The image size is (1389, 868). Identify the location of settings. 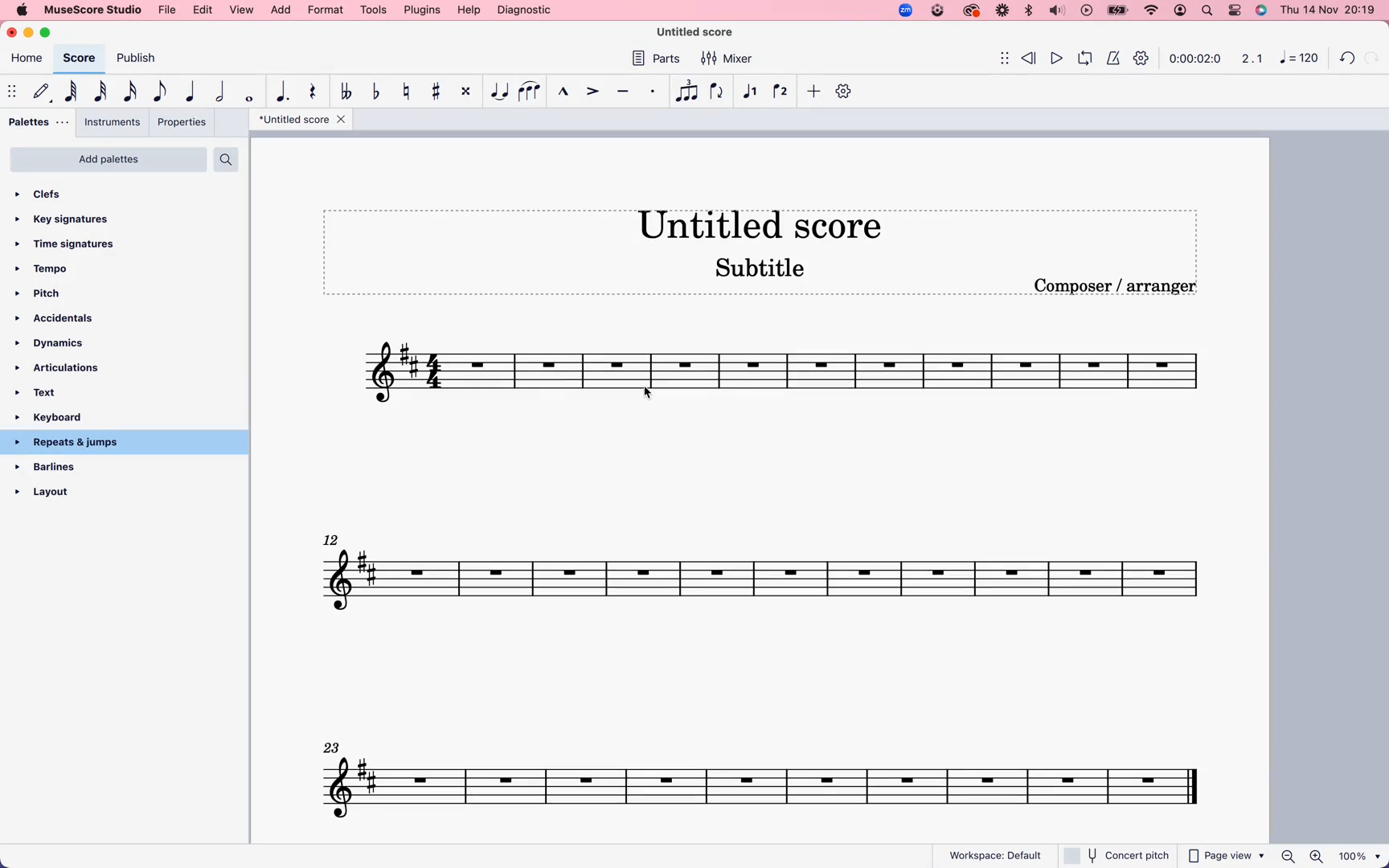
(1144, 60).